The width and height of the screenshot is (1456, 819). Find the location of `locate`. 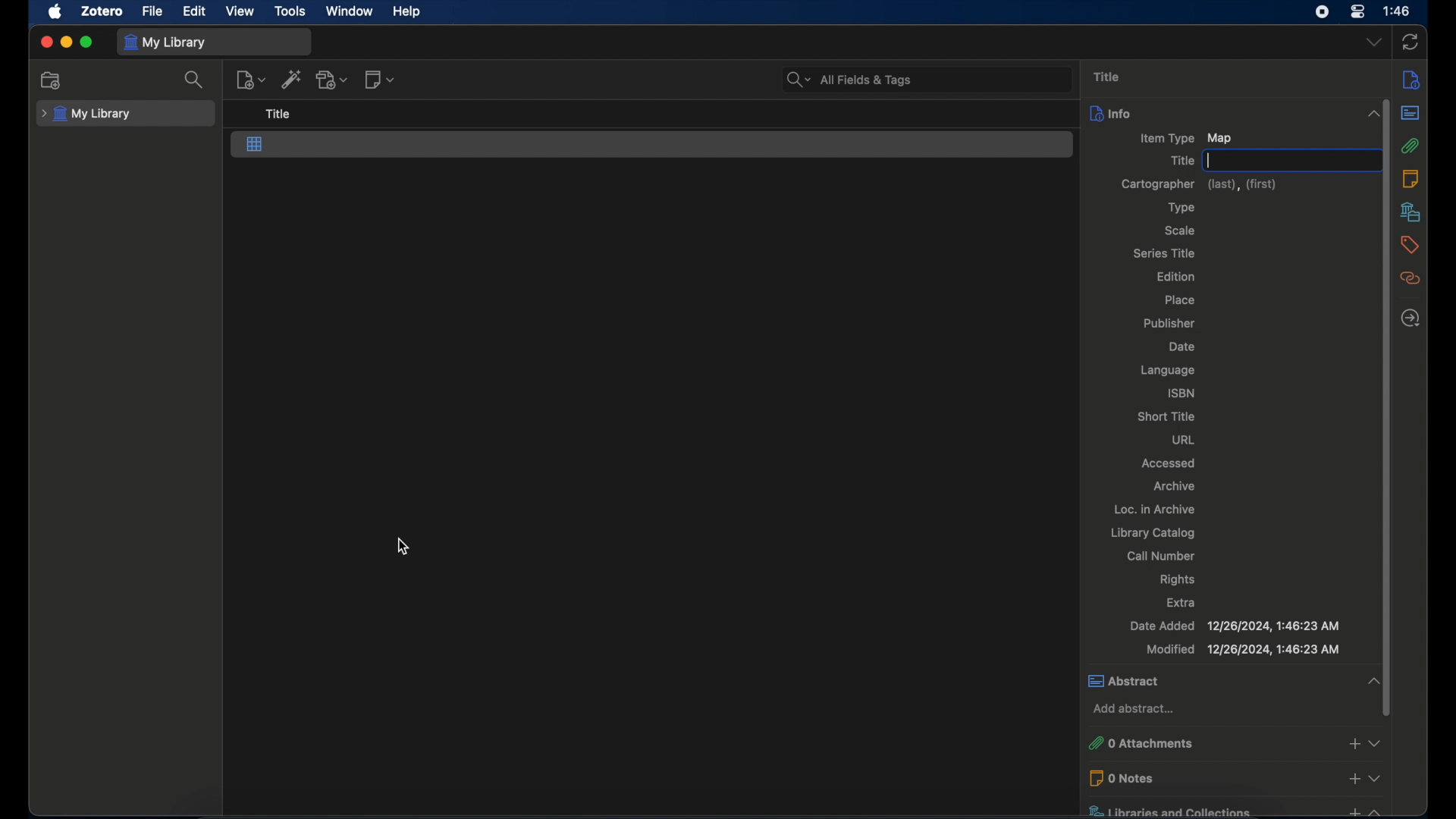

locate is located at coordinates (1410, 318).